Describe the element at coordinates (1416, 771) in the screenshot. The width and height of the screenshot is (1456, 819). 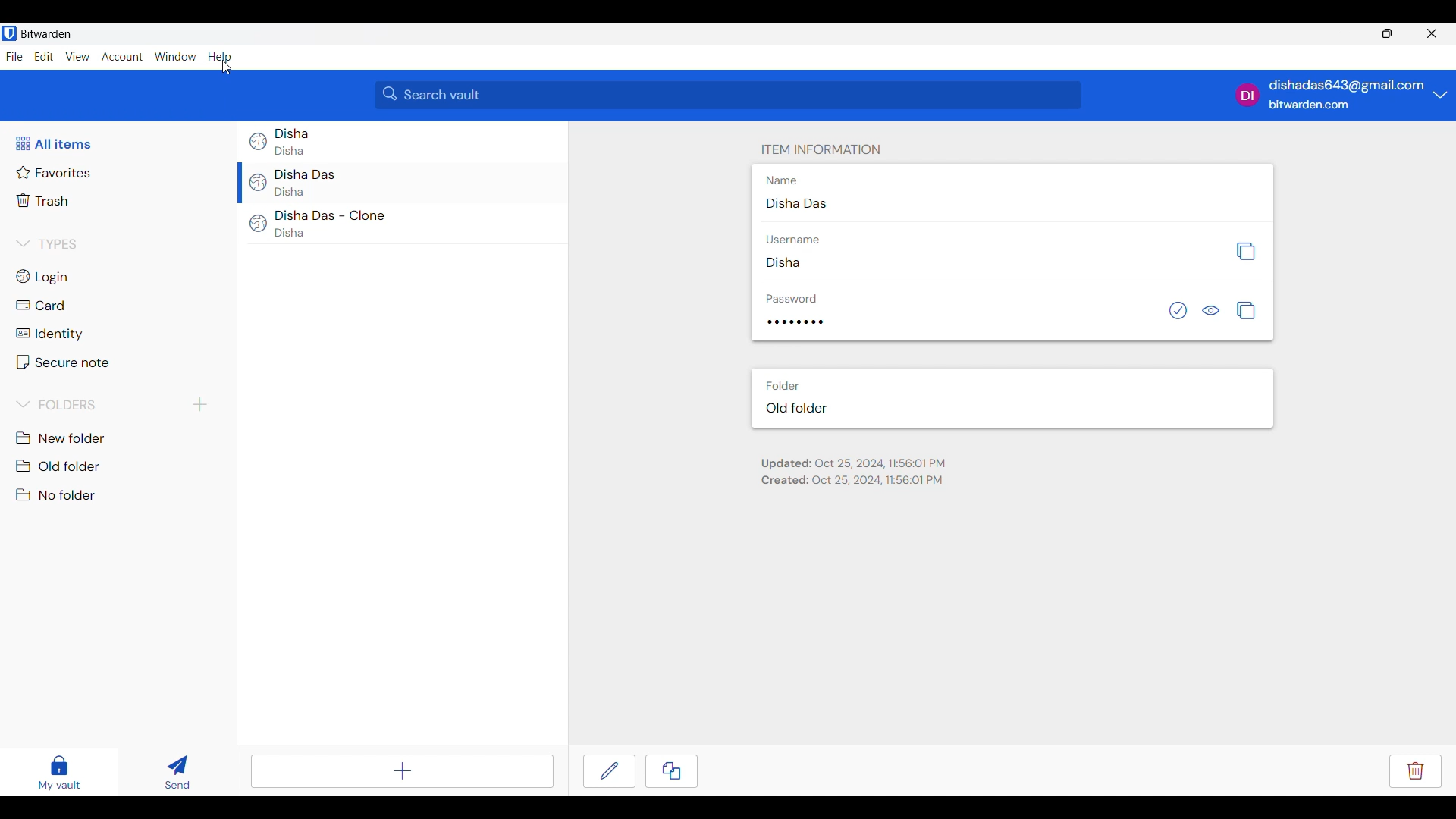
I see `Delete` at that location.